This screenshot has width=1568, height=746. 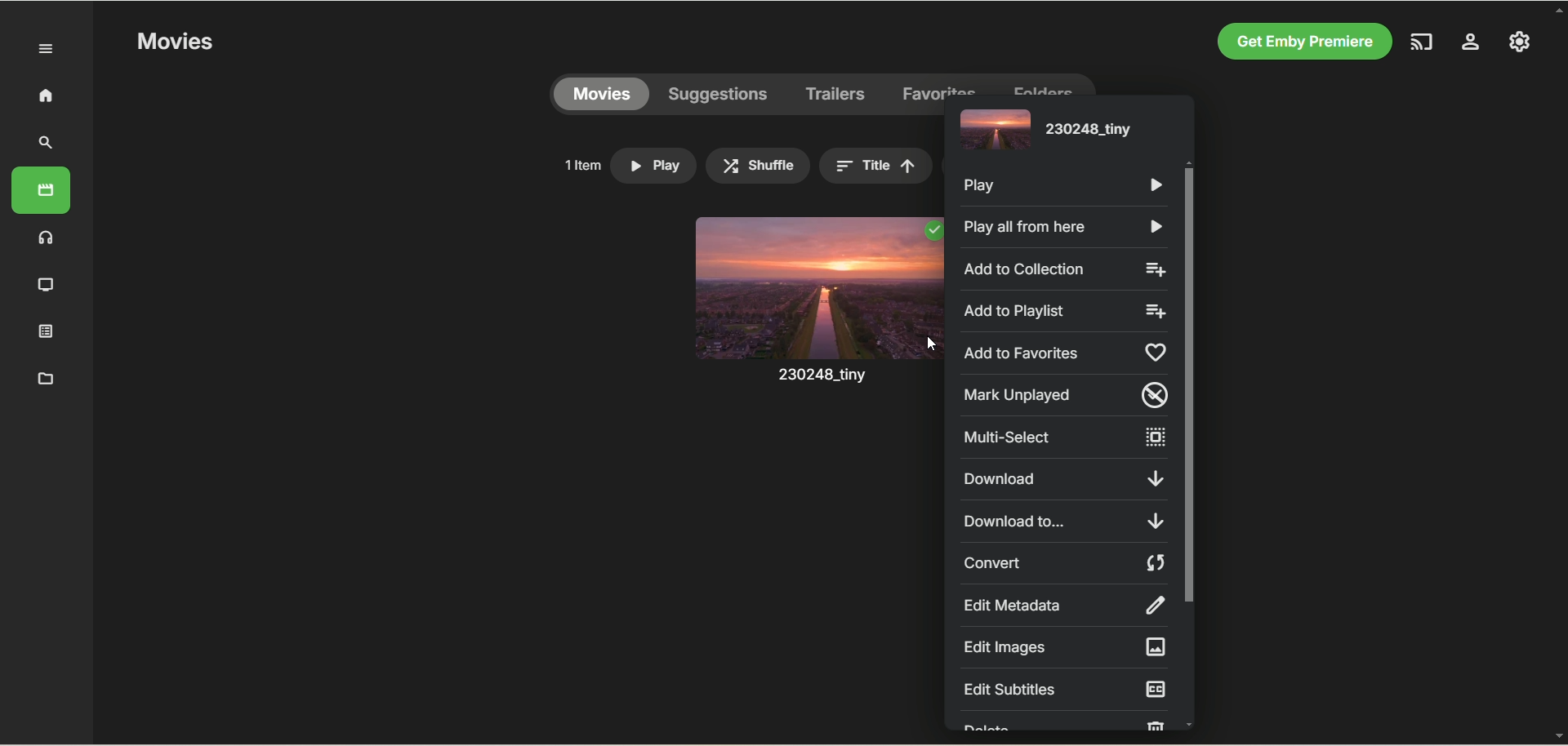 What do you see at coordinates (875, 166) in the screenshot?
I see `title` at bounding box center [875, 166].